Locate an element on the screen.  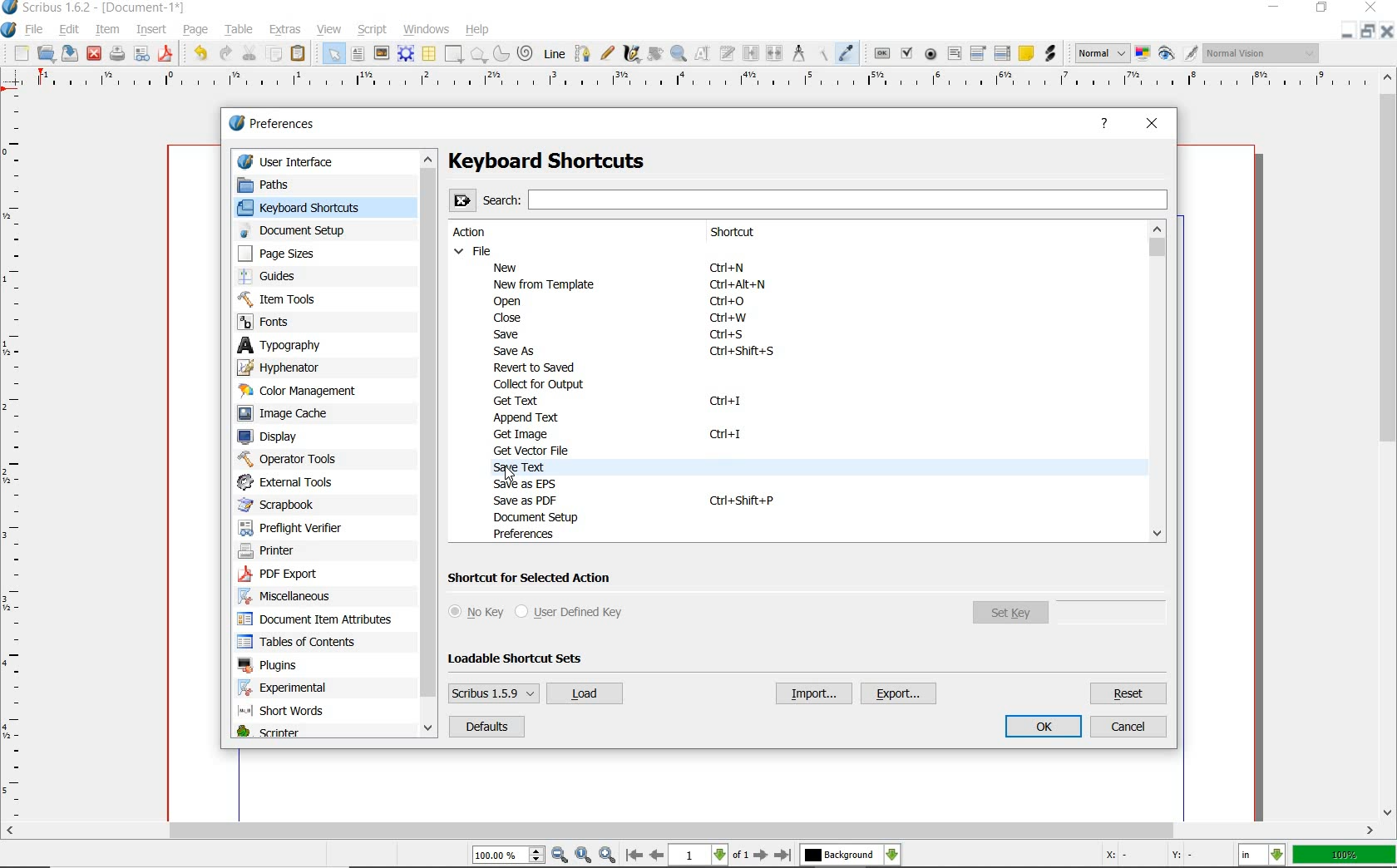
preflight verifier is located at coordinates (116, 55).